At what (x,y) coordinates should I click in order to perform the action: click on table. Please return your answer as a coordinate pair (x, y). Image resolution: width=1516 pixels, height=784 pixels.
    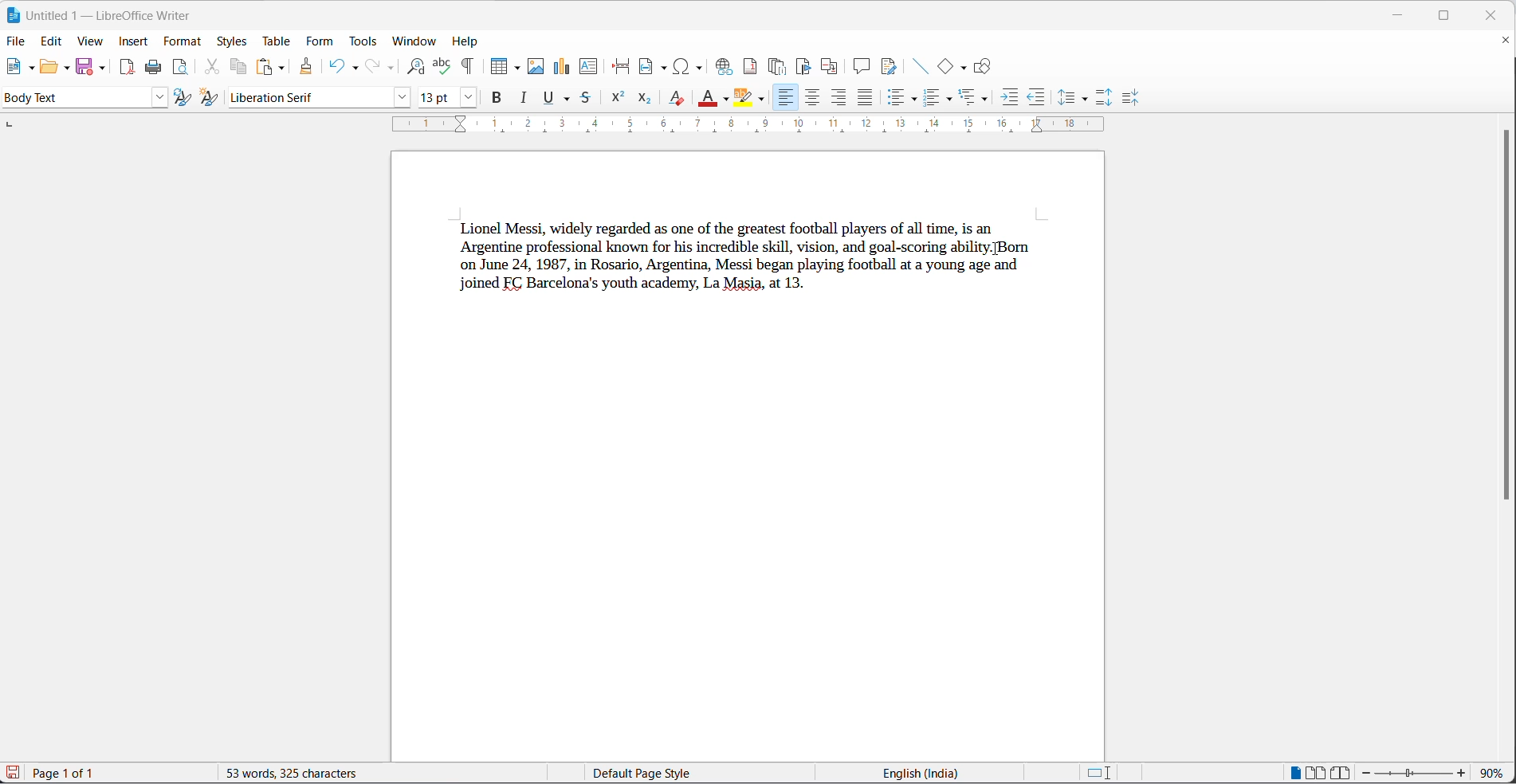
    Looking at the image, I should click on (280, 40).